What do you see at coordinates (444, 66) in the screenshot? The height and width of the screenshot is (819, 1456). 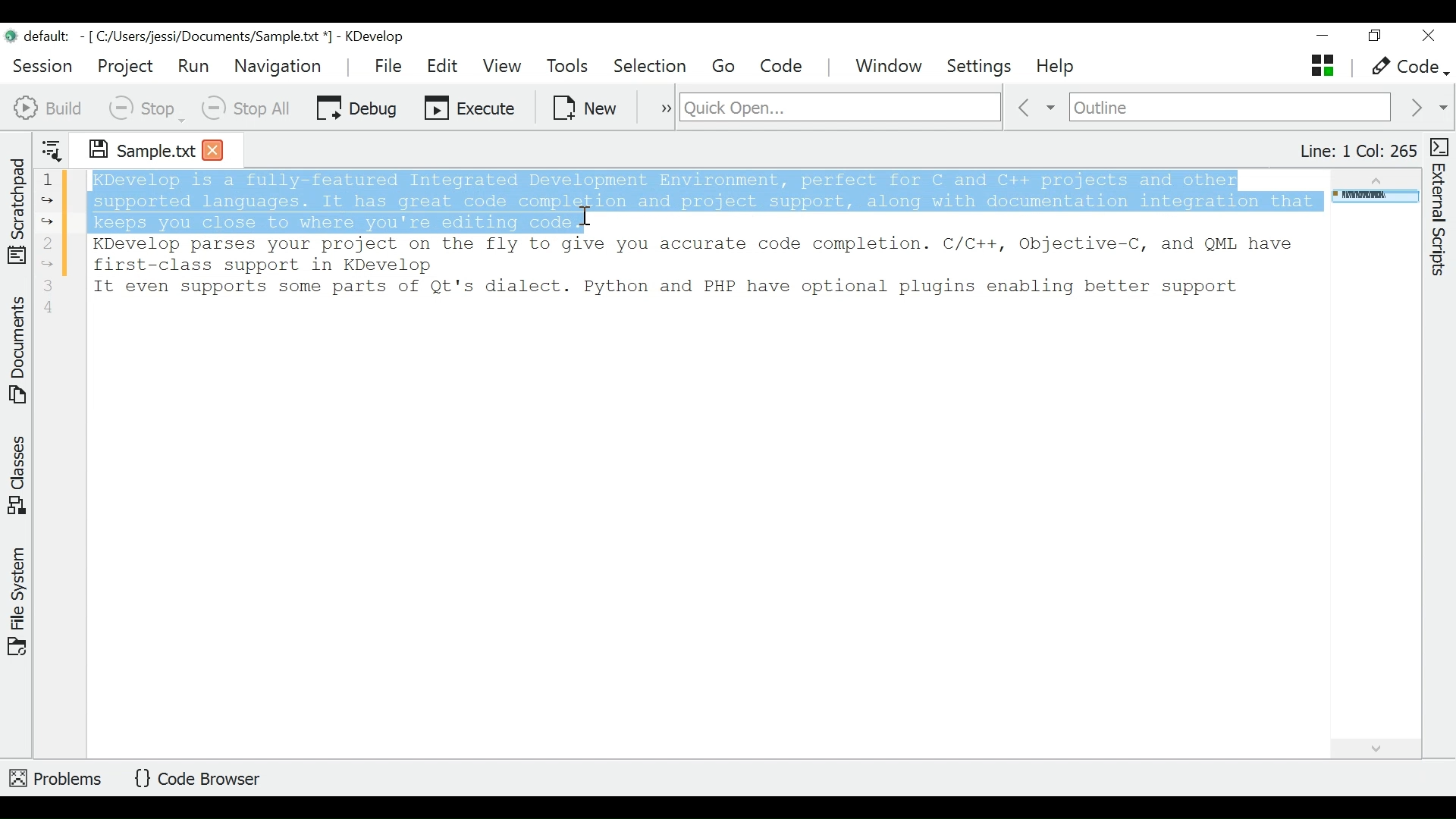 I see `Edit` at bounding box center [444, 66].